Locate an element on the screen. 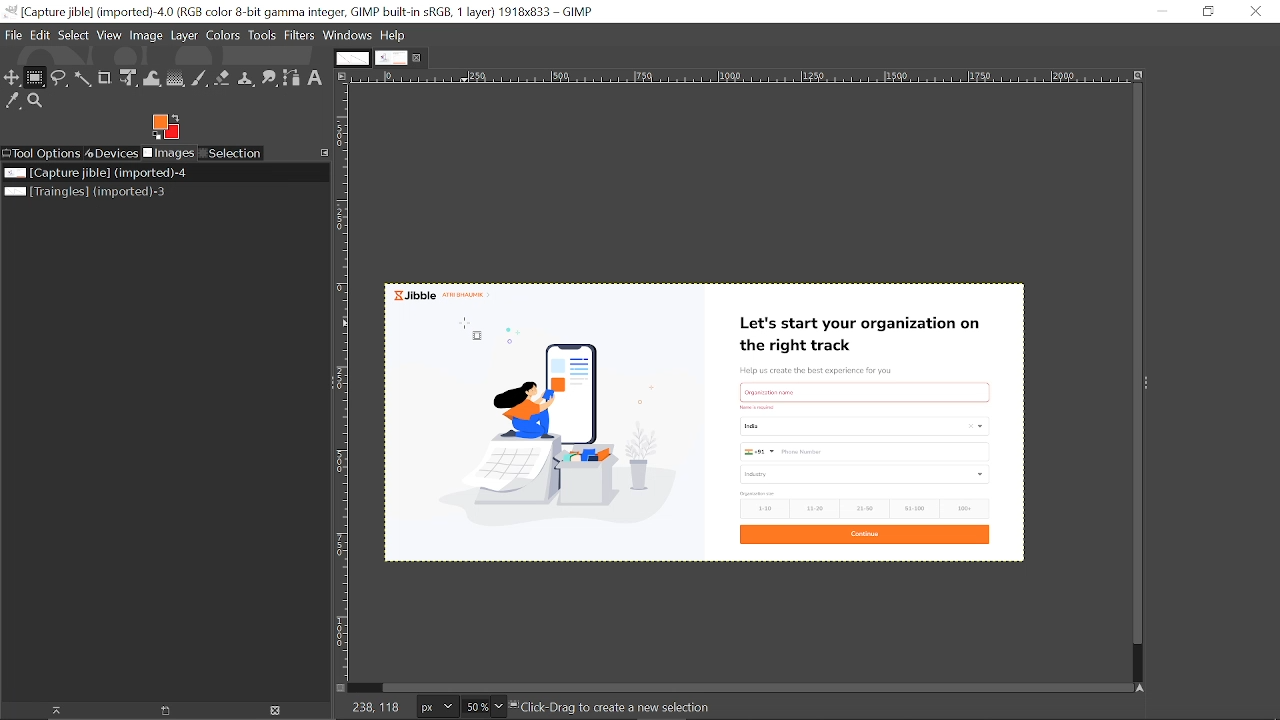 The image size is (1280, 720). 238, 118 is located at coordinates (379, 706).